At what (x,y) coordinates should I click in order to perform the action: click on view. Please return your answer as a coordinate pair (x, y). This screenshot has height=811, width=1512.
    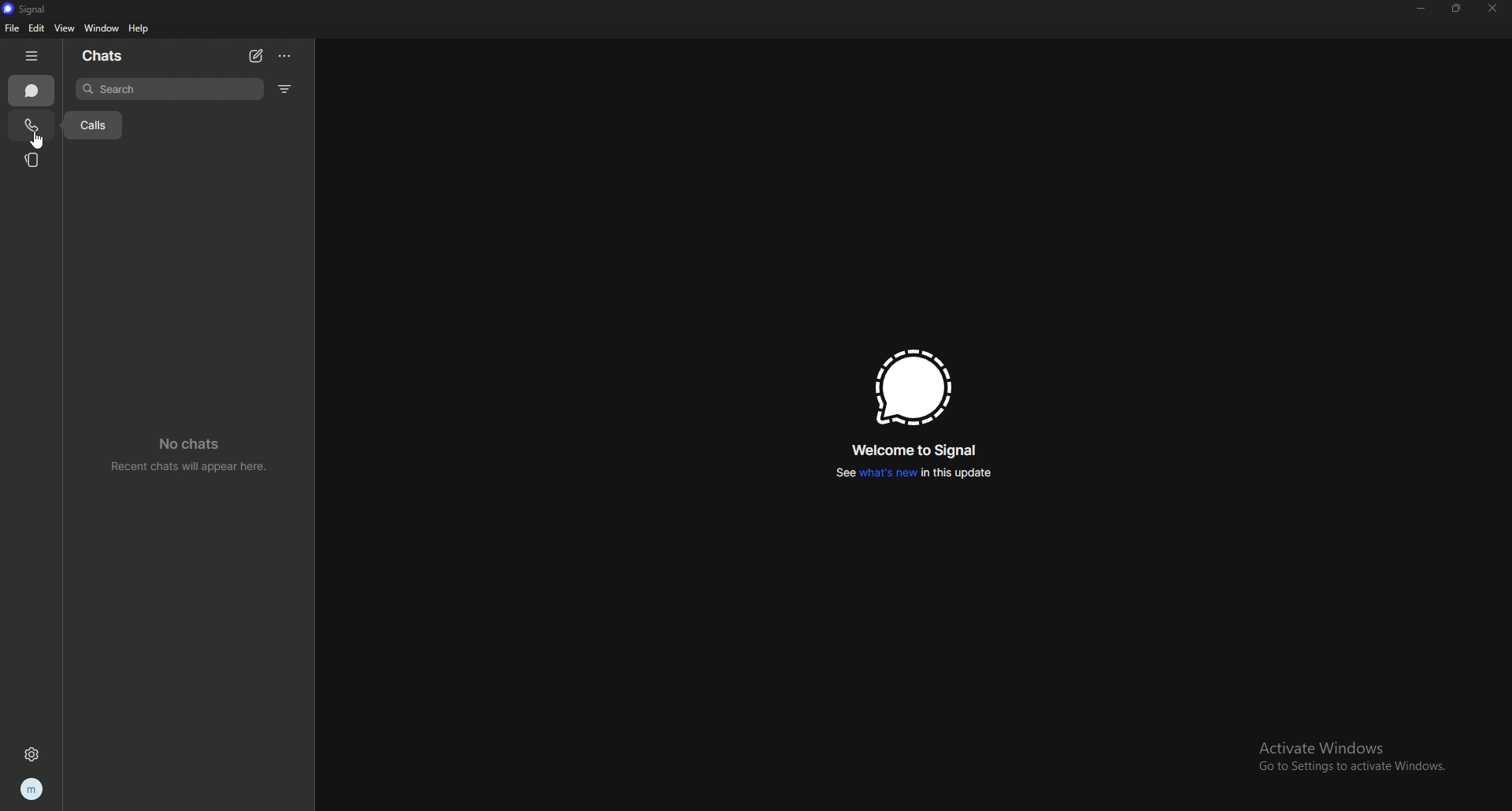
    Looking at the image, I should click on (66, 28).